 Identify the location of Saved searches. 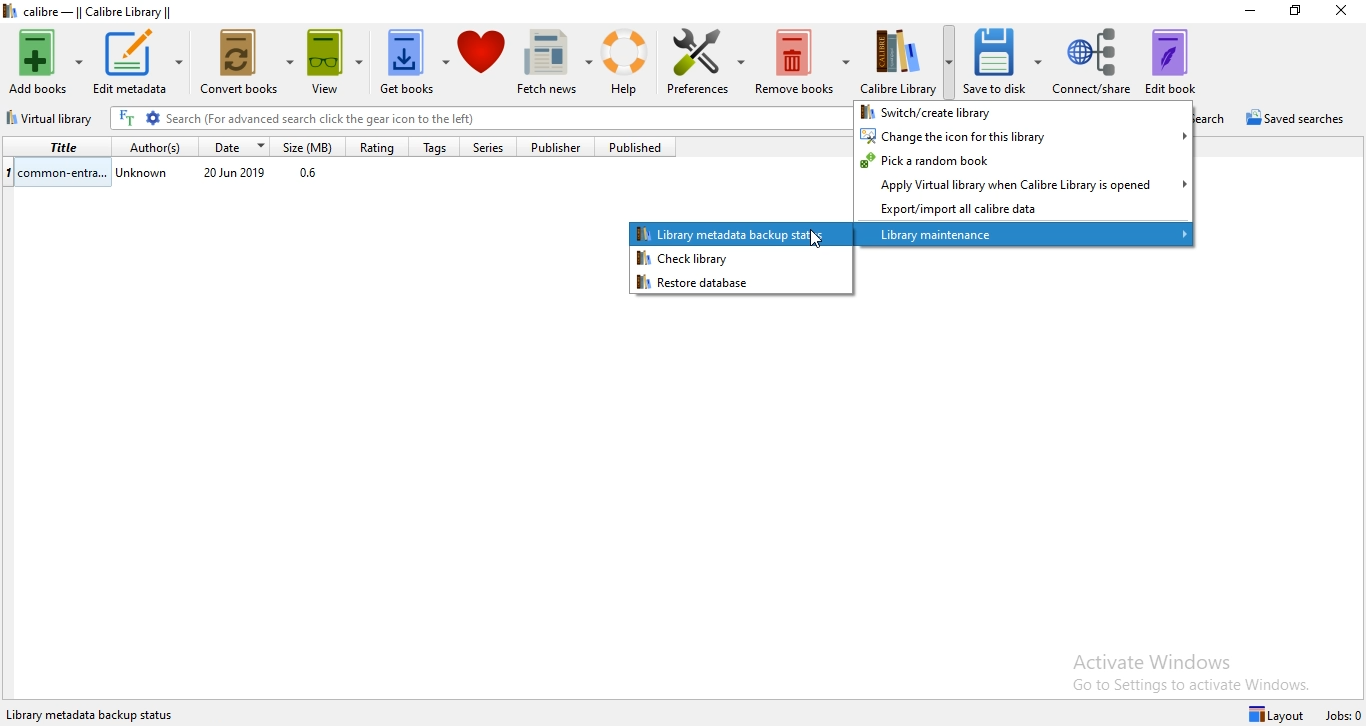
(1300, 119).